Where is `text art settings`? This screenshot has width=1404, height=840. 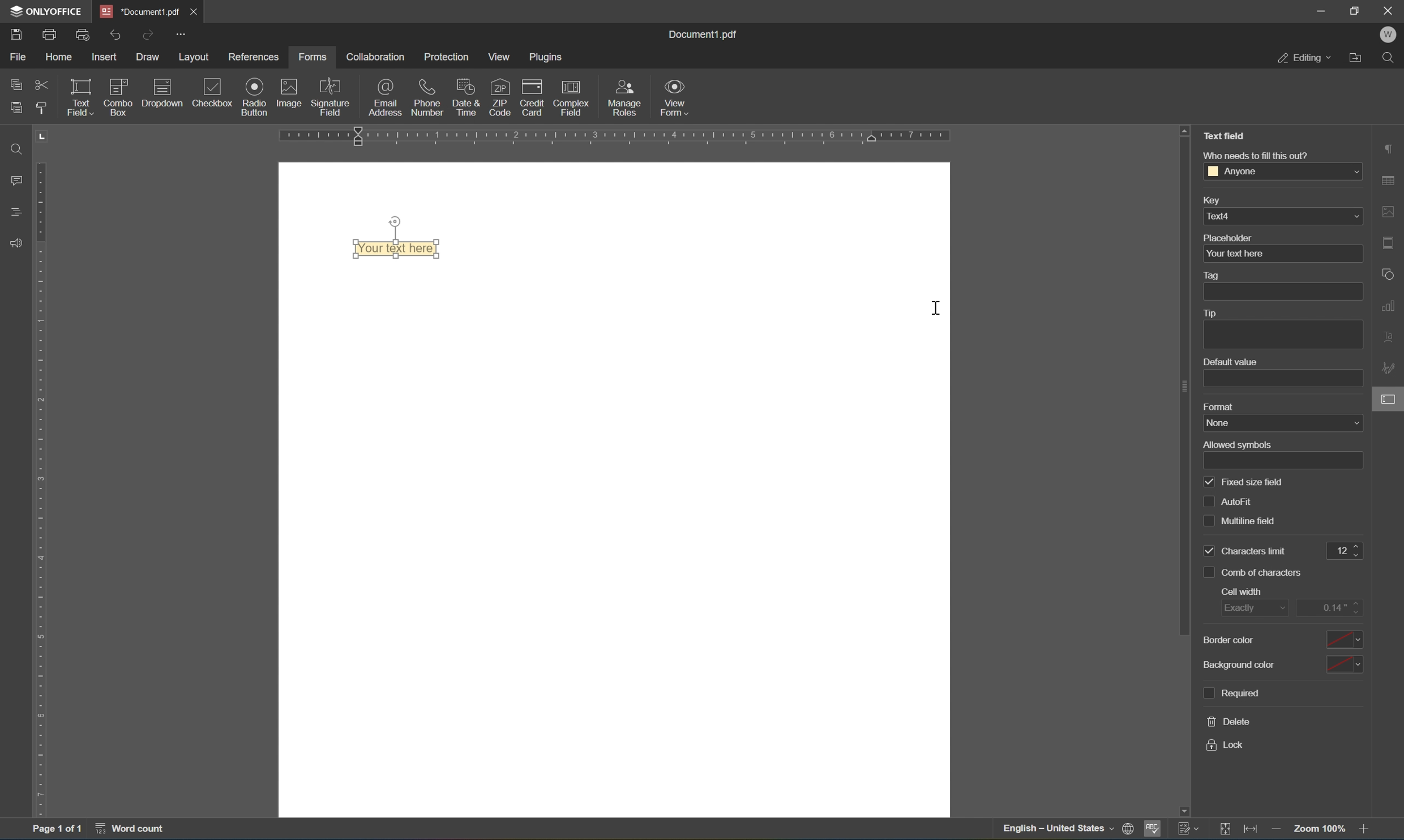 text art settings is located at coordinates (1392, 340).